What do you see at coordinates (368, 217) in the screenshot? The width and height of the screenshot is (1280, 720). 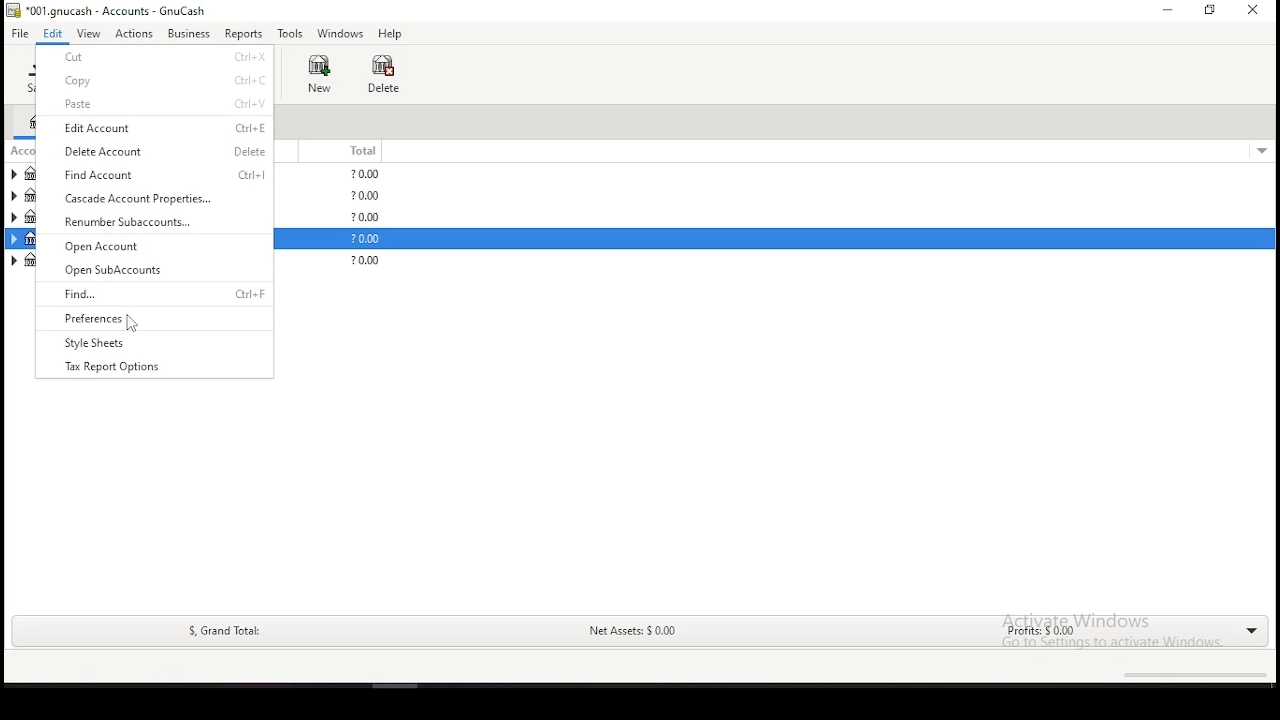 I see `? 0.00` at bounding box center [368, 217].